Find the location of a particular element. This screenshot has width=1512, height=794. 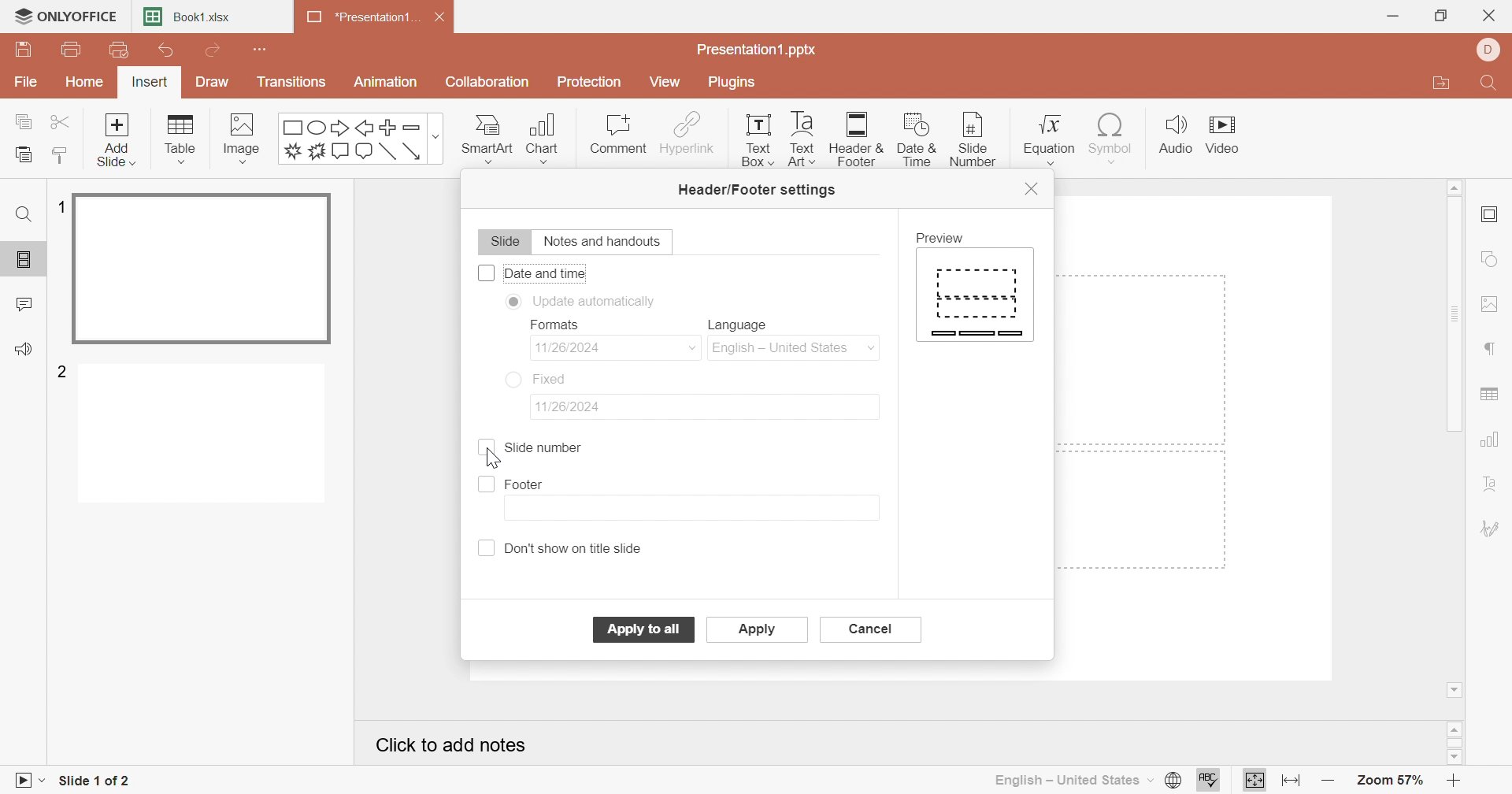

Check spelling is located at coordinates (1208, 782).